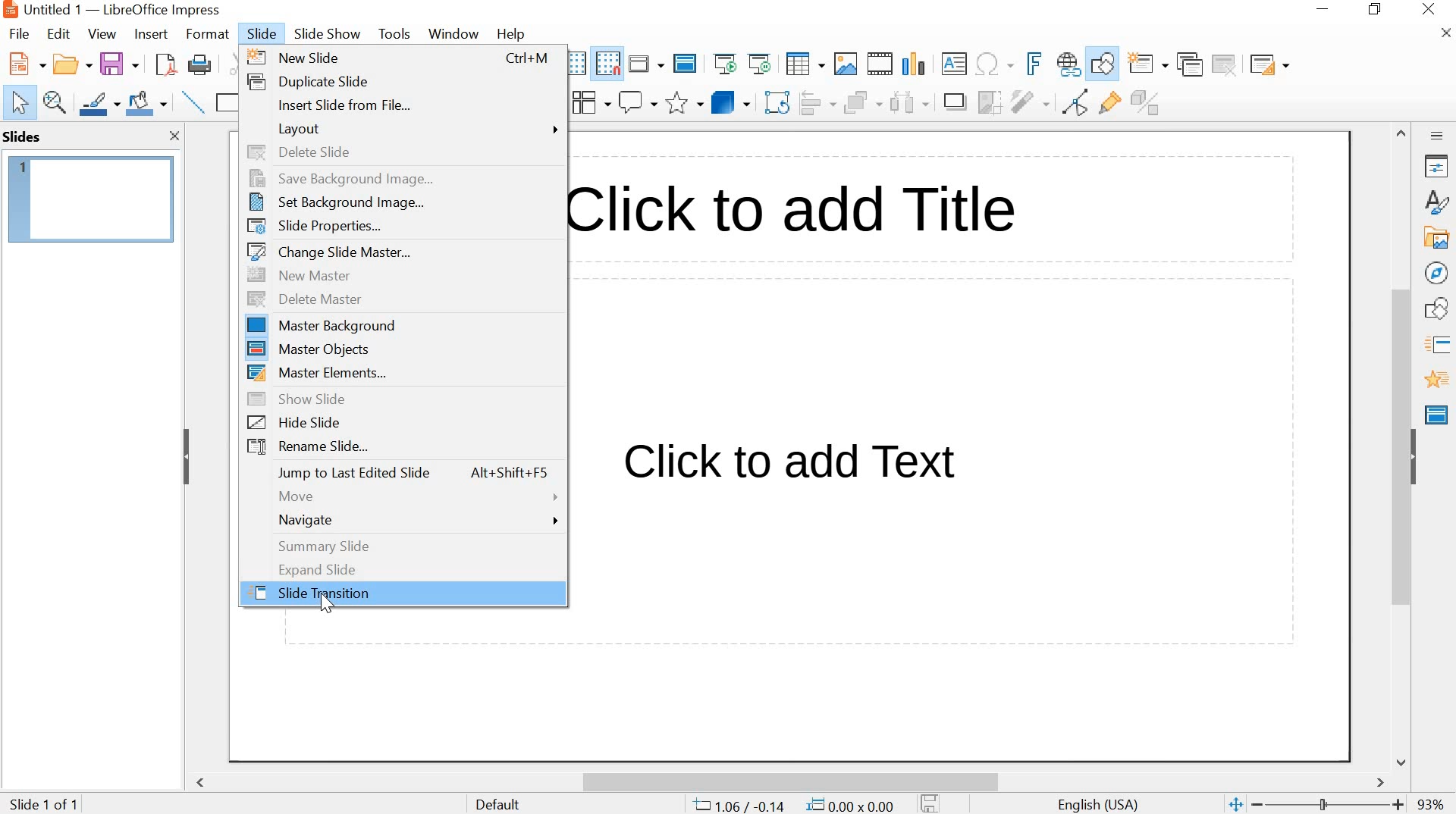  I want to click on Toggle Point Edit Mode, so click(1079, 101).